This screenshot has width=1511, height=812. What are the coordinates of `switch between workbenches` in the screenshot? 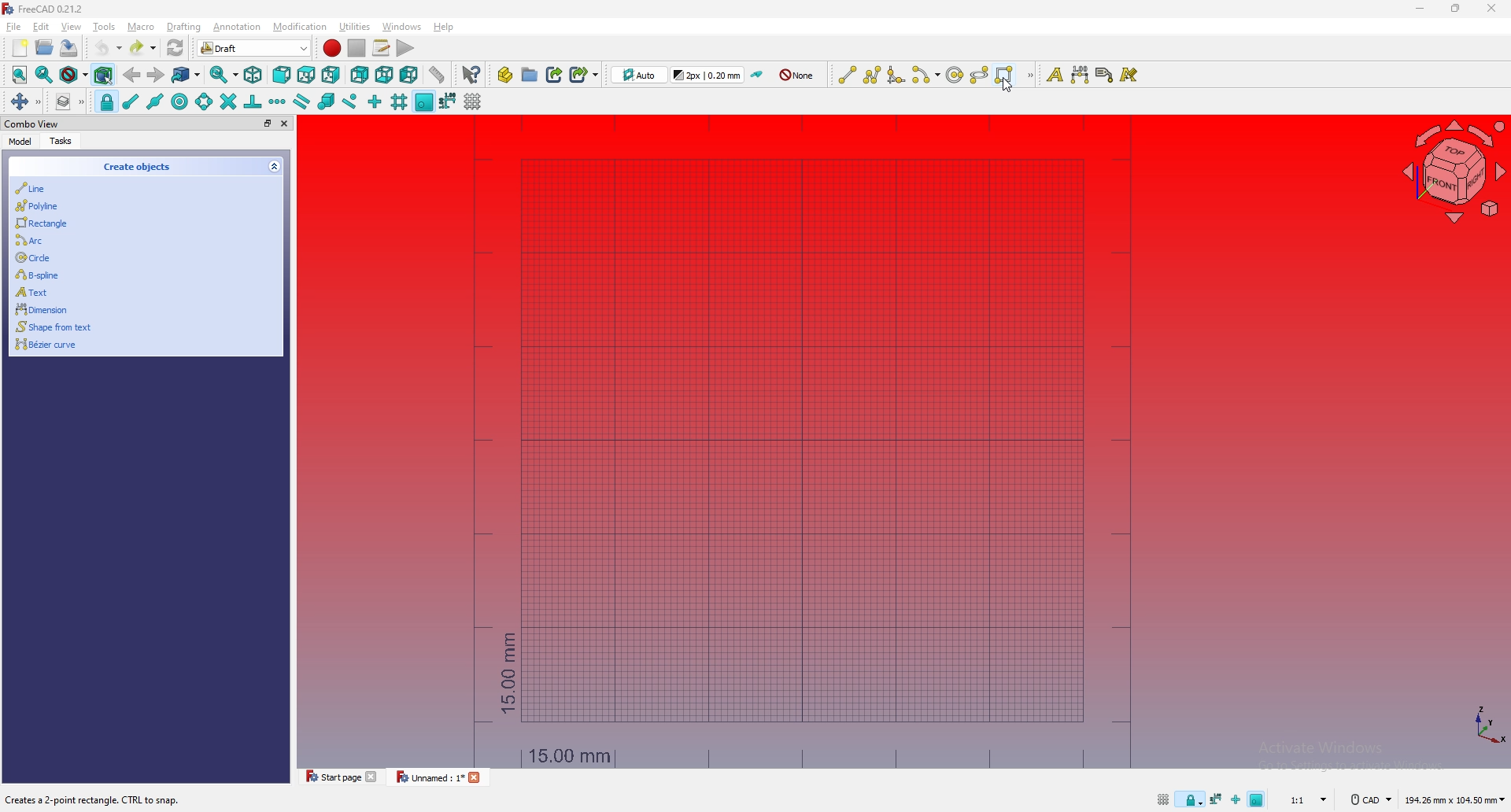 It's located at (279, 47).